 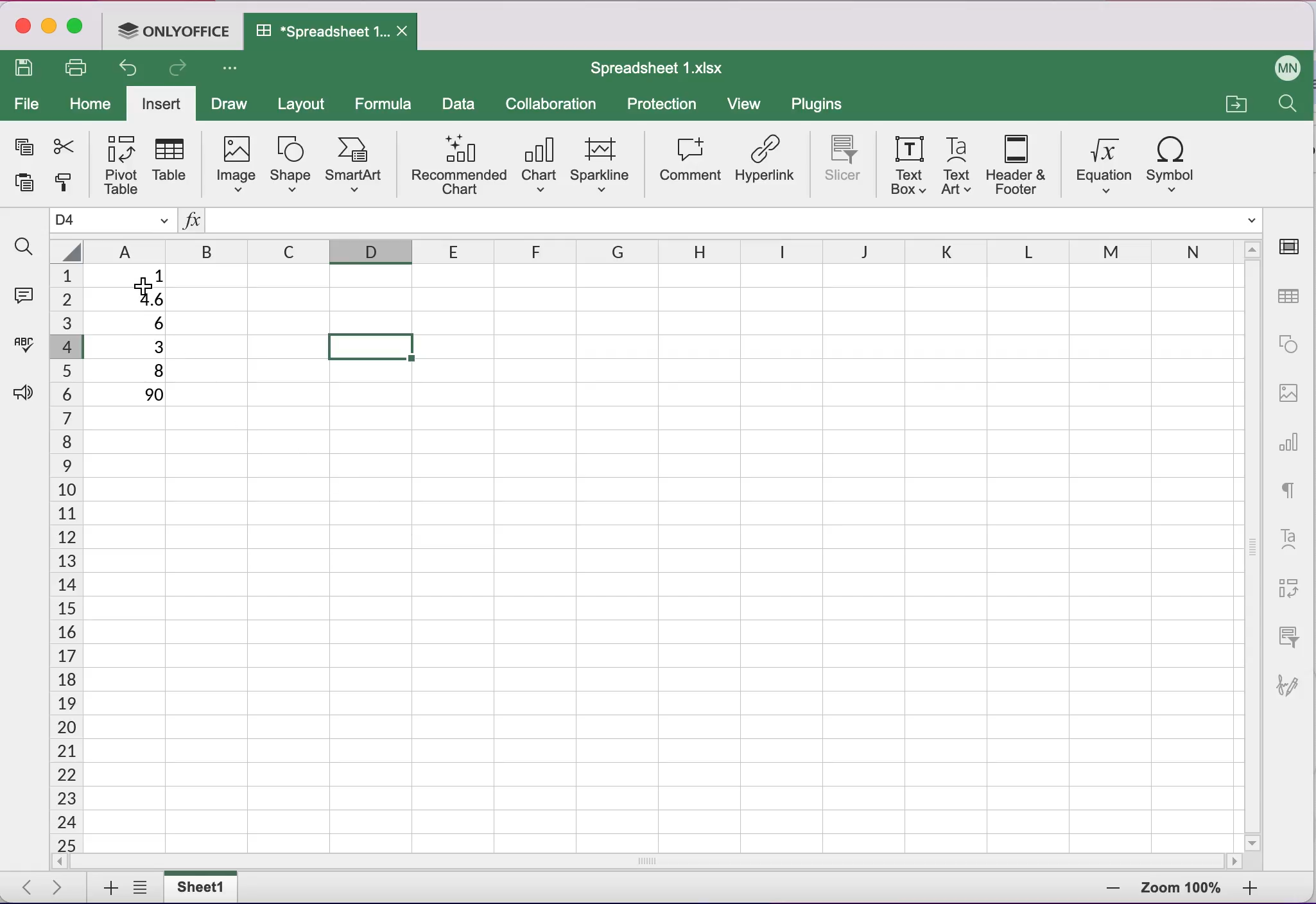 I want to click on list of sheets, so click(x=140, y=889).